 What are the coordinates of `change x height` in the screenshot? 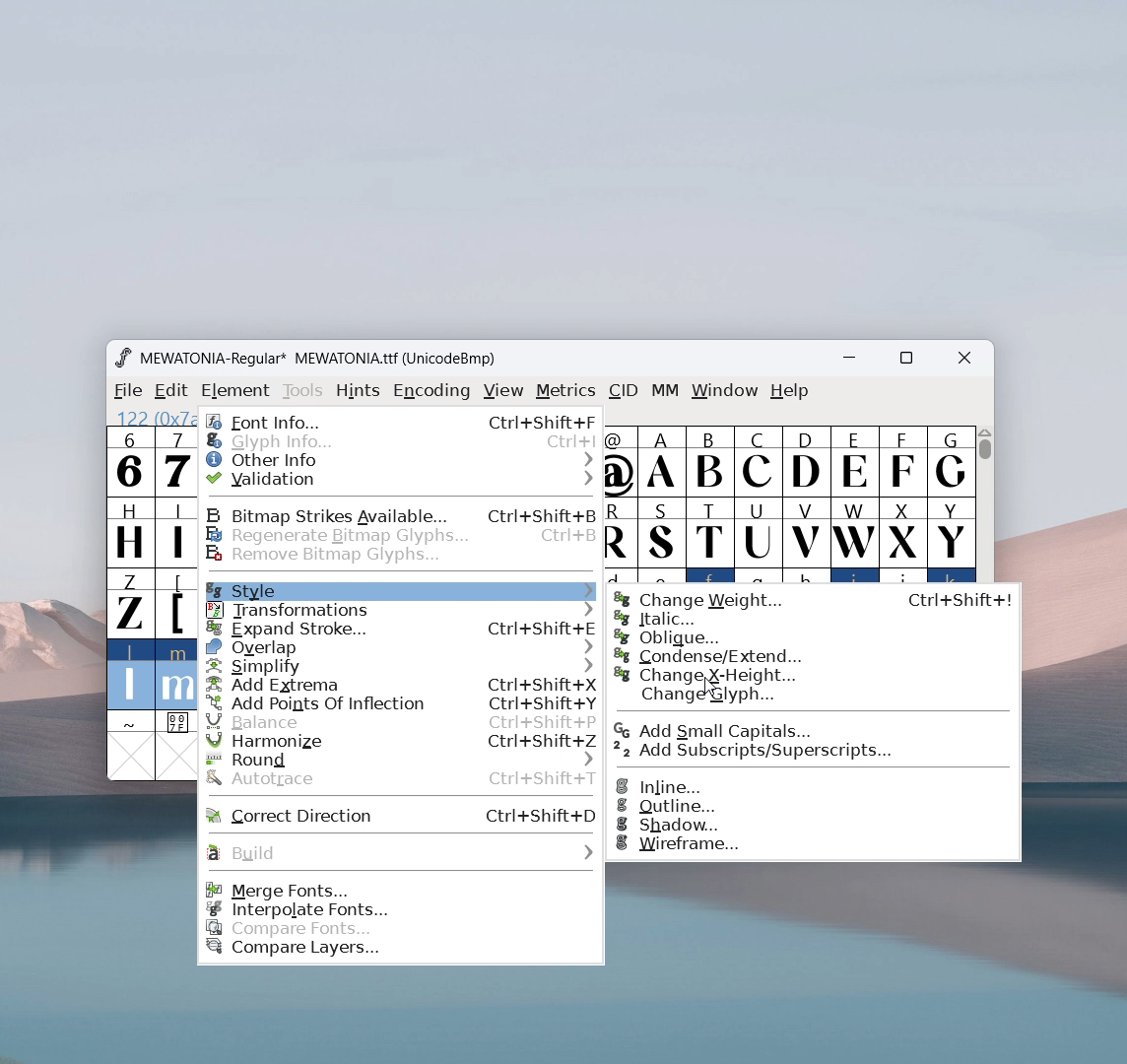 It's located at (815, 676).